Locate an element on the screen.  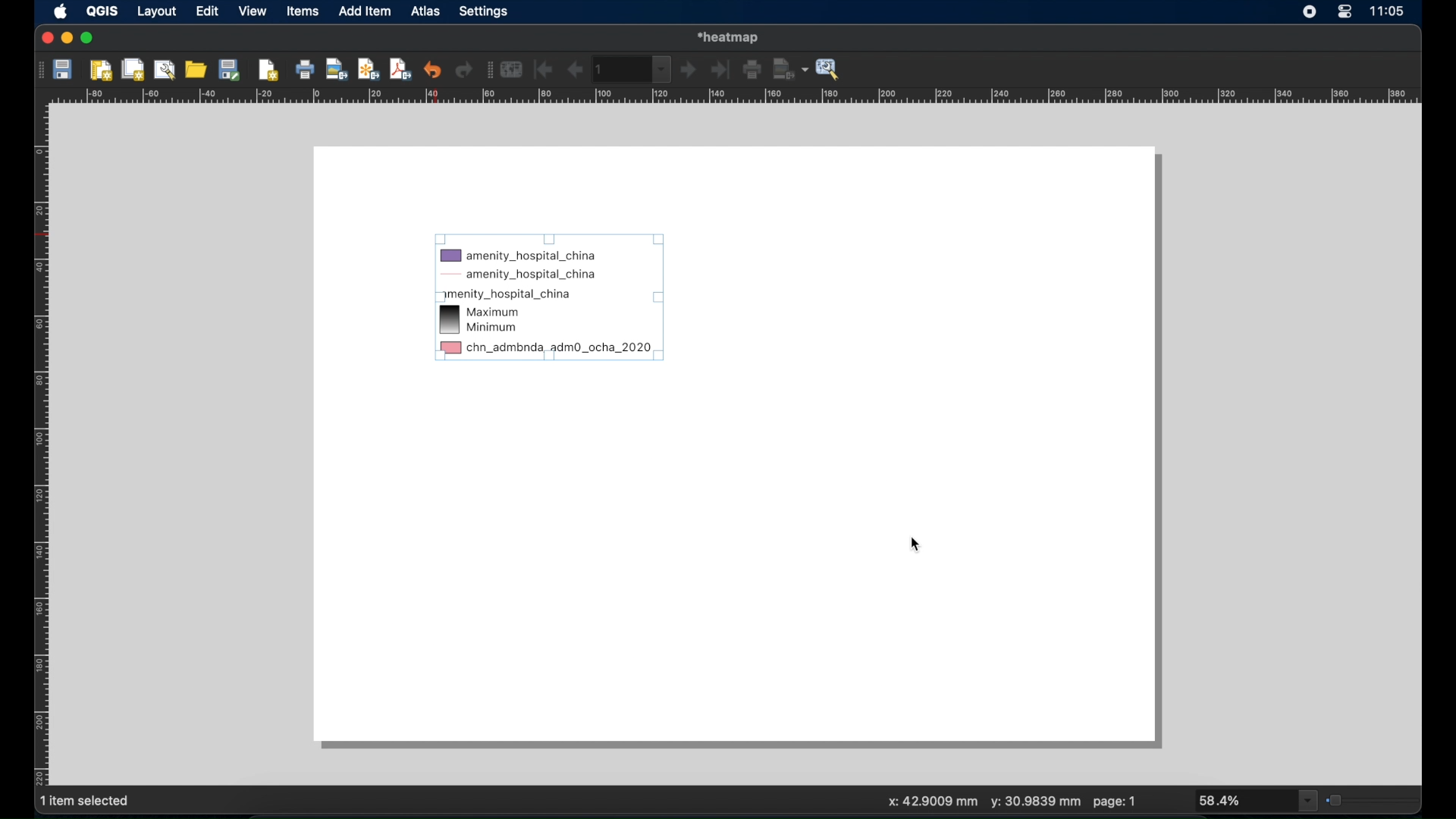
page: 1 is located at coordinates (1115, 802).